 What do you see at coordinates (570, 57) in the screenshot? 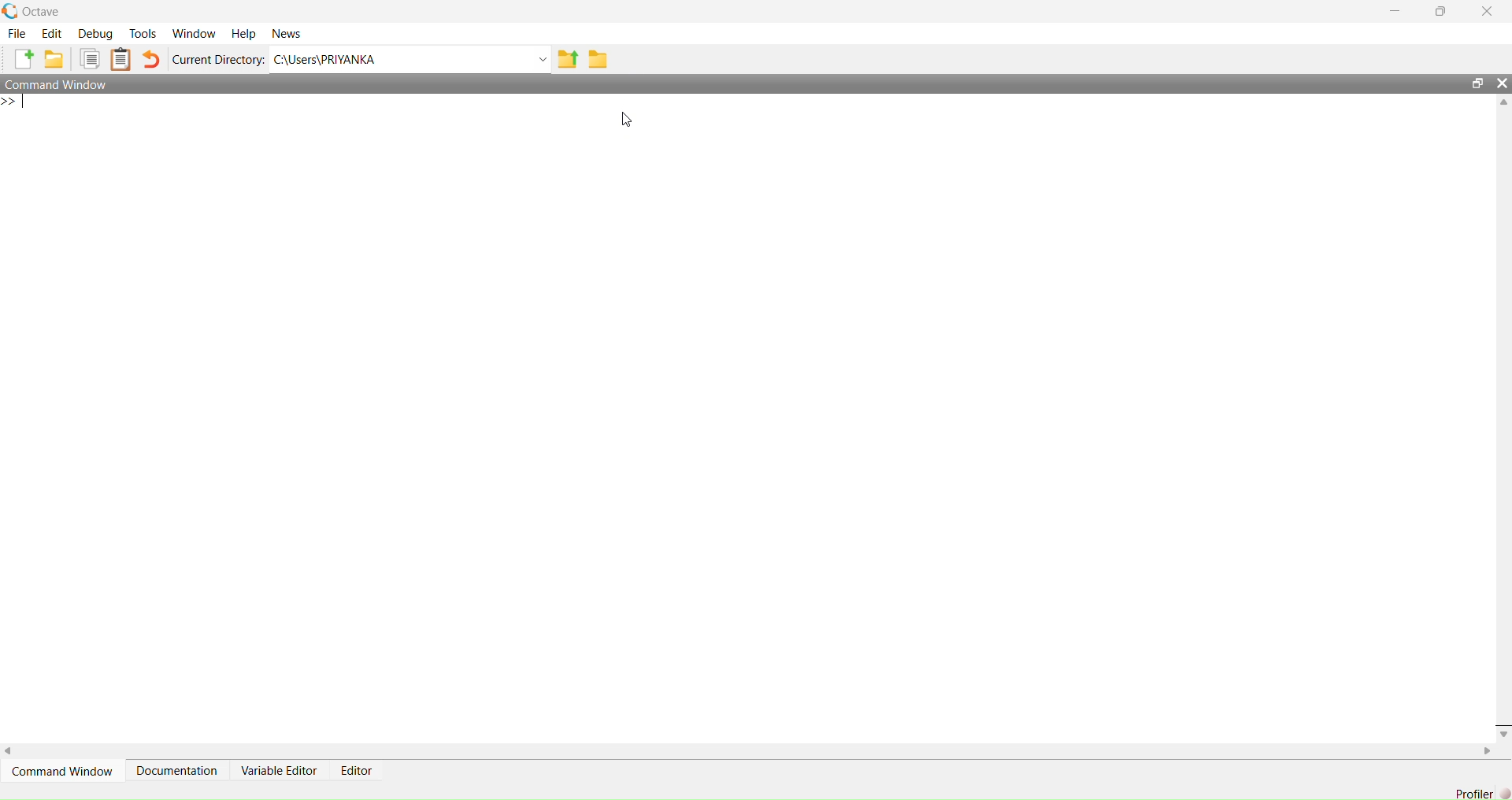
I see `one directory up` at bounding box center [570, 57].